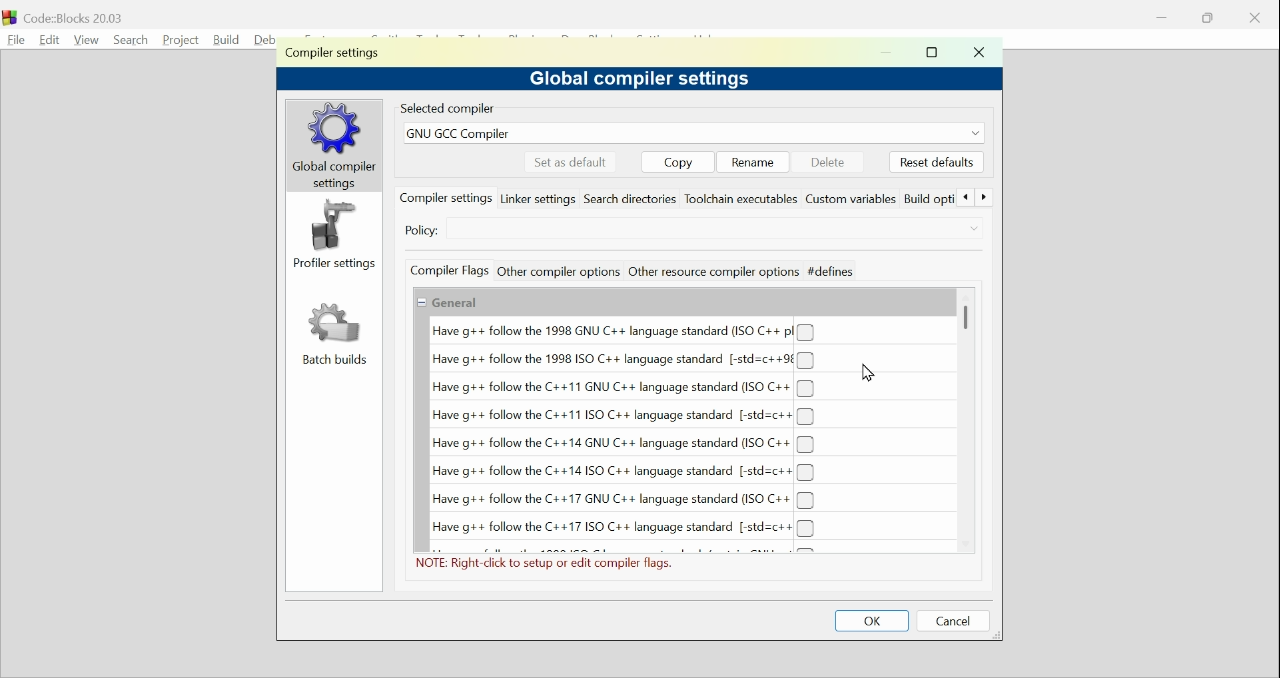  Describe the element at coordinates (1210, 18) in the screenshot. I see `Restore` at that location.